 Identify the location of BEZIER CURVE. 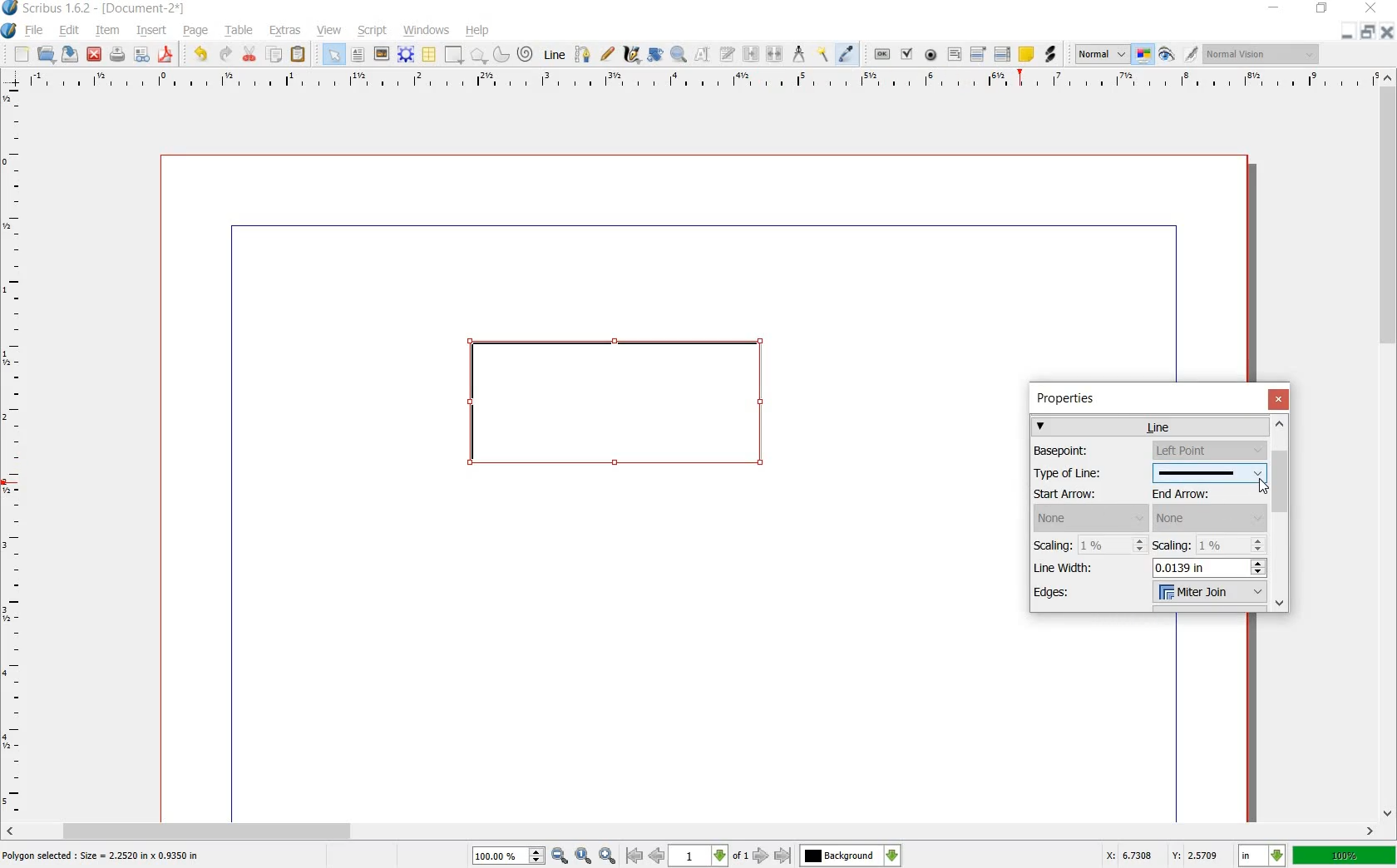
(585, 55).